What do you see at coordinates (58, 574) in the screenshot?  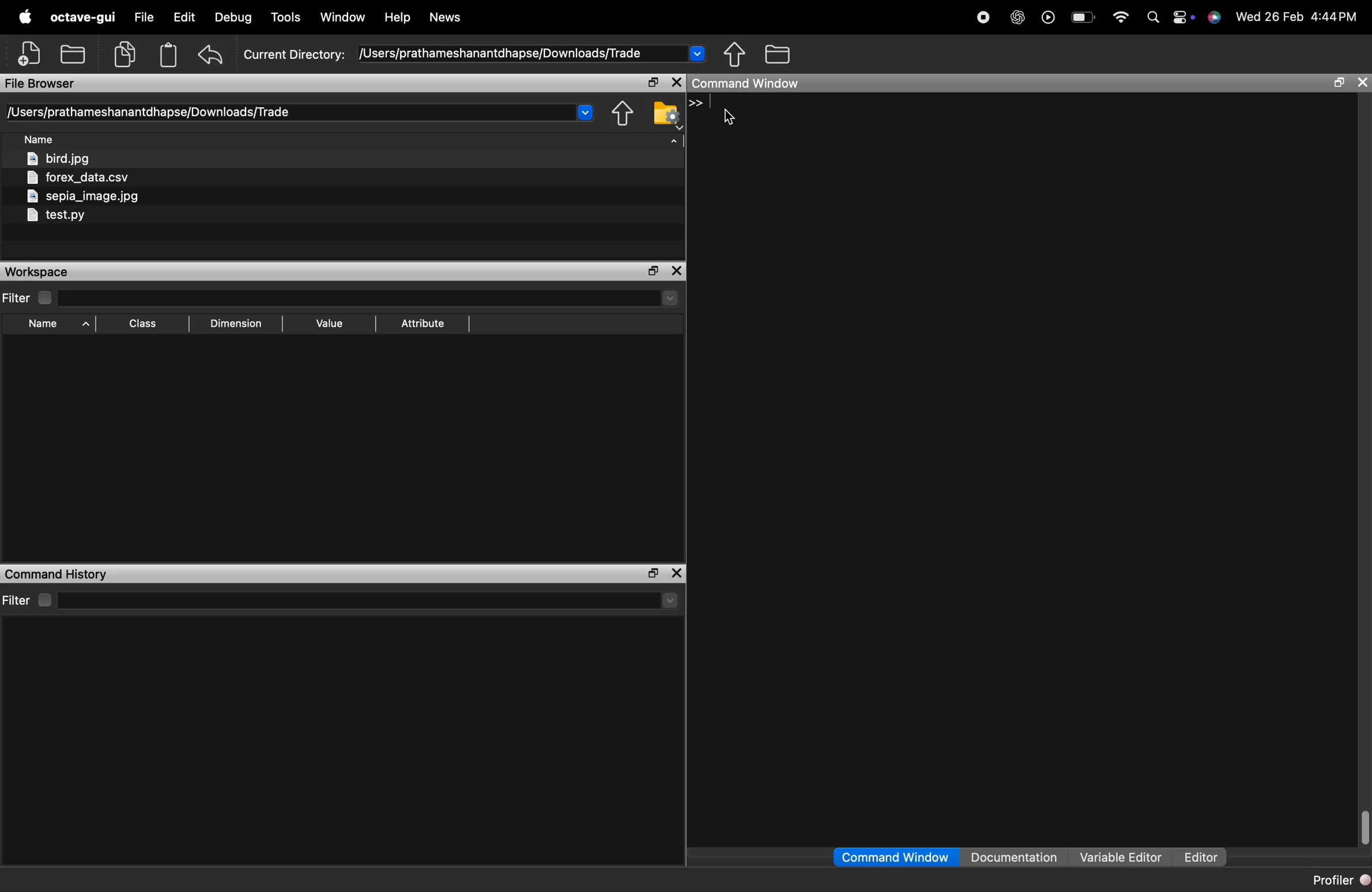 I see `Command History` at bounding box center [58, 574].